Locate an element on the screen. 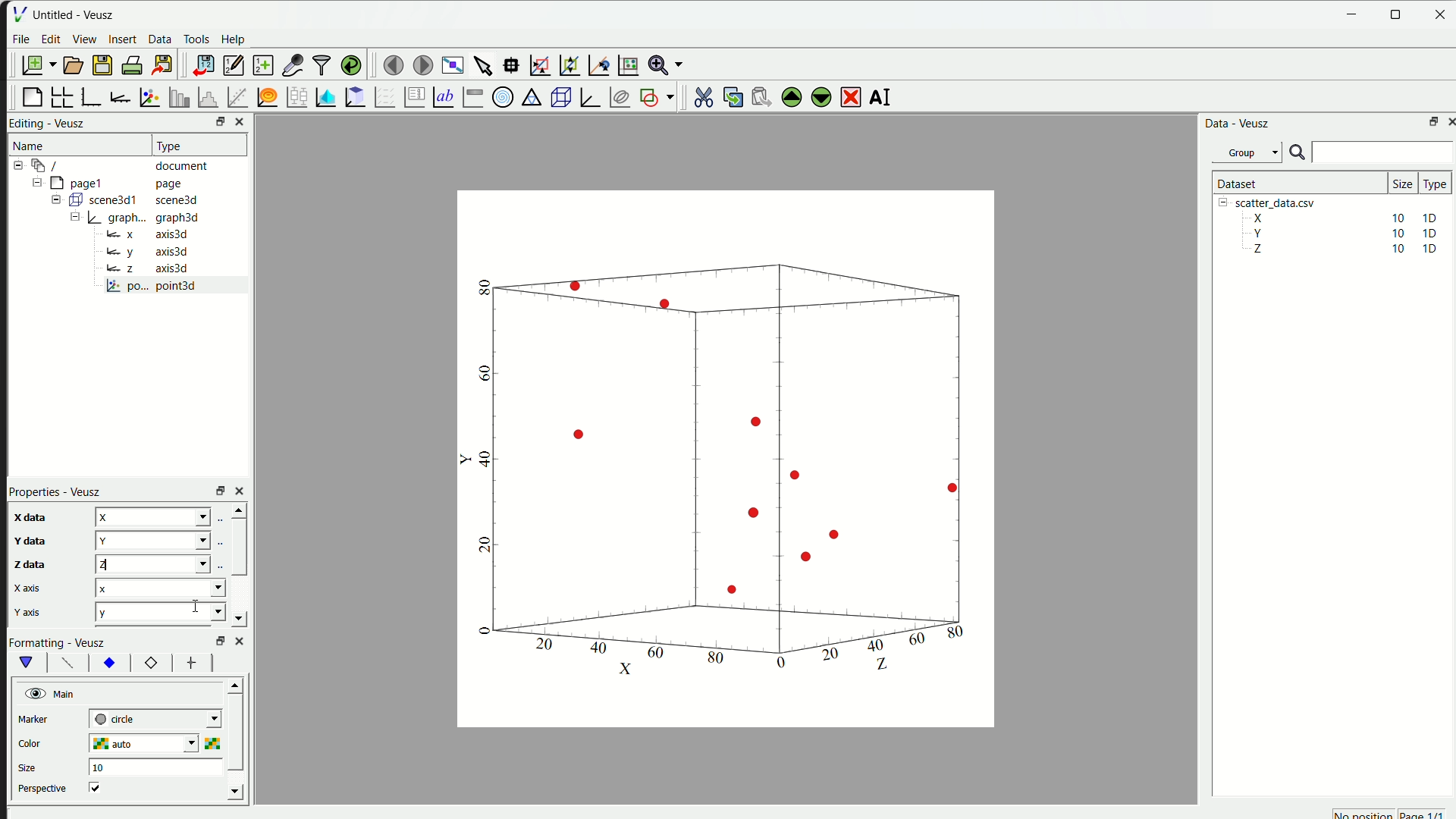  | Type is located at coordinates (171, 145).